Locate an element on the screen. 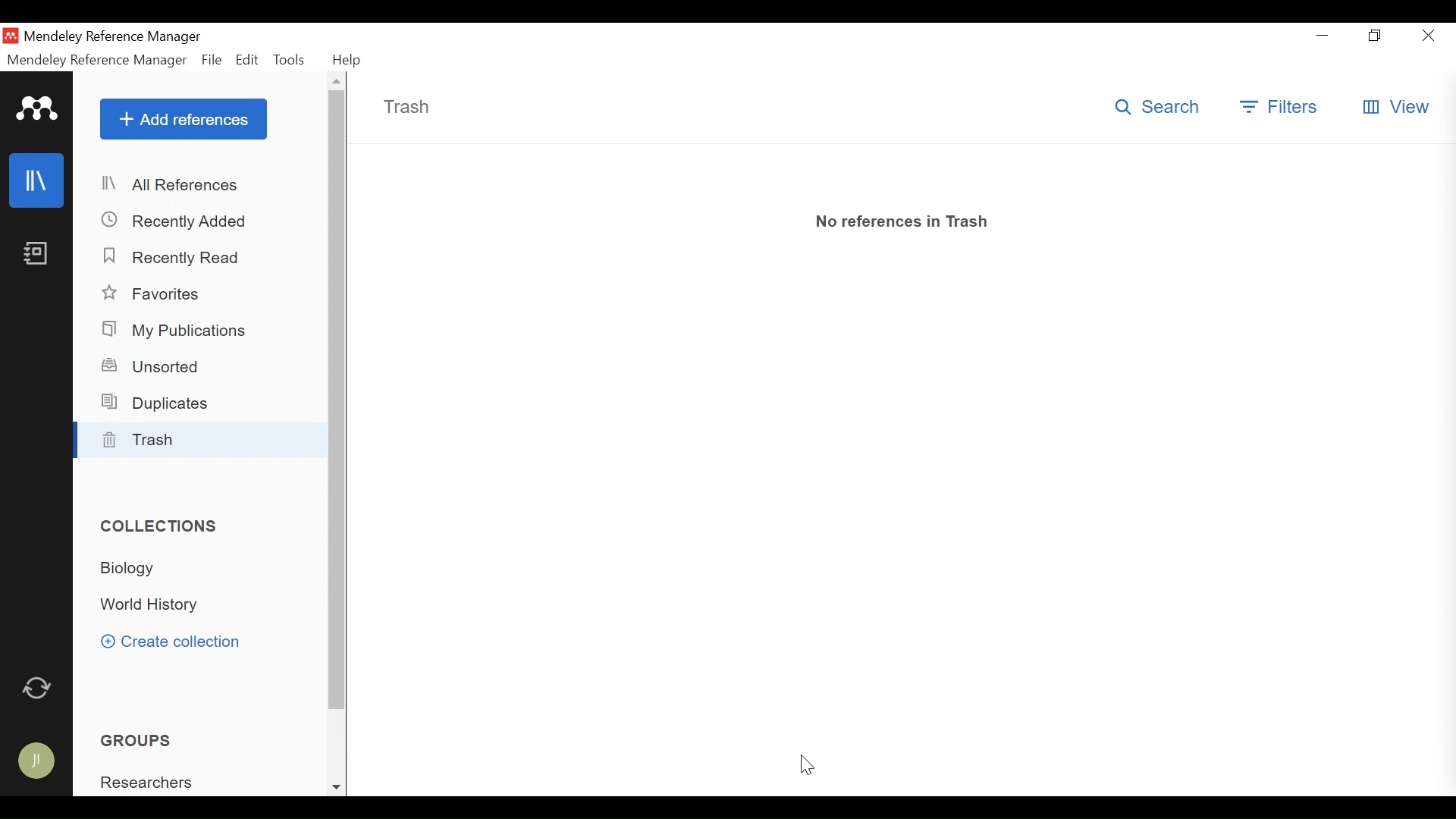 This screenshot has width=1456, height=819. Close is located at coordinates (1429, 36).